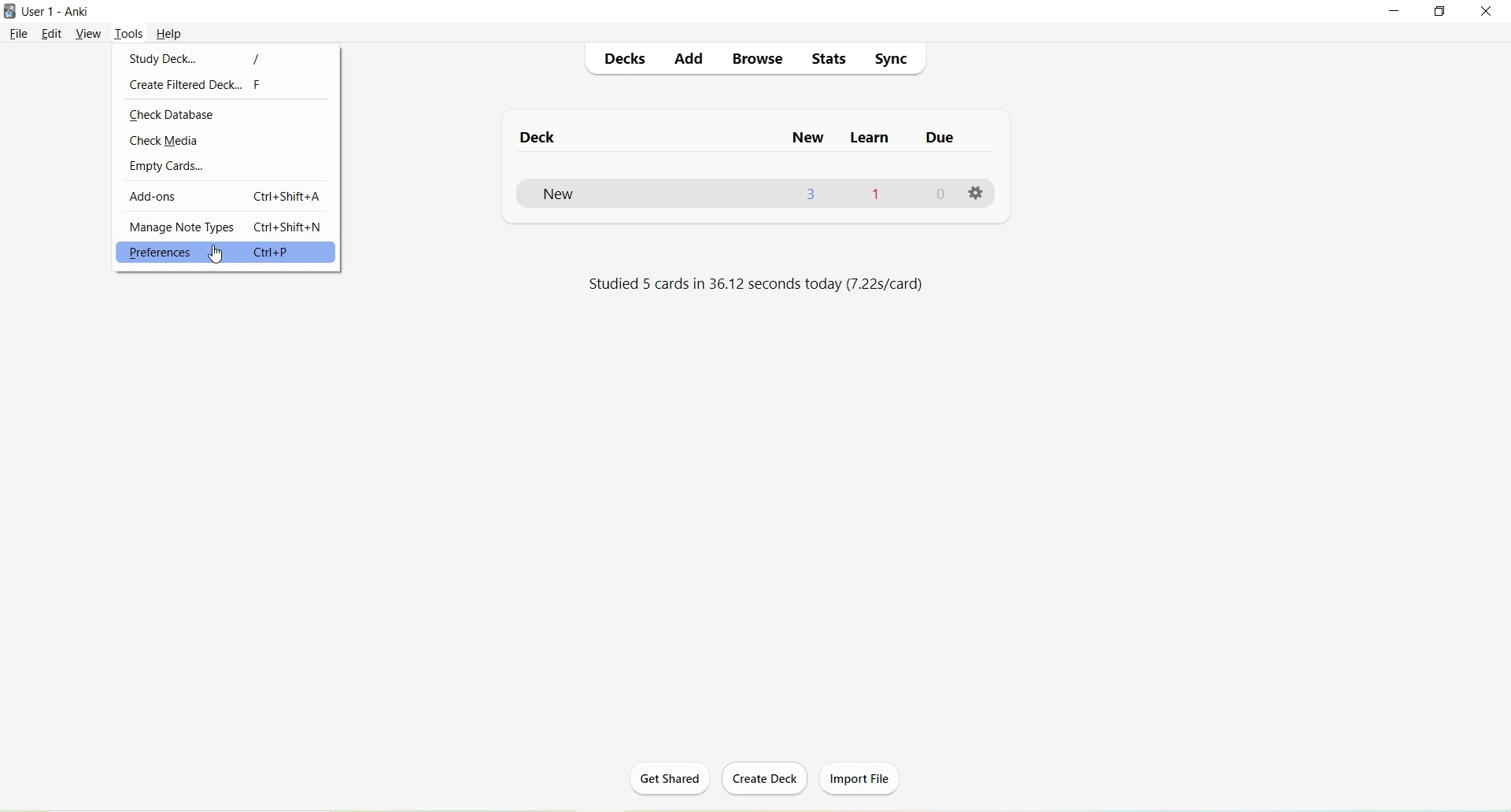 The height and width of the screenshot is (812, 1511). I want to click on Logo, so click(12, 12).